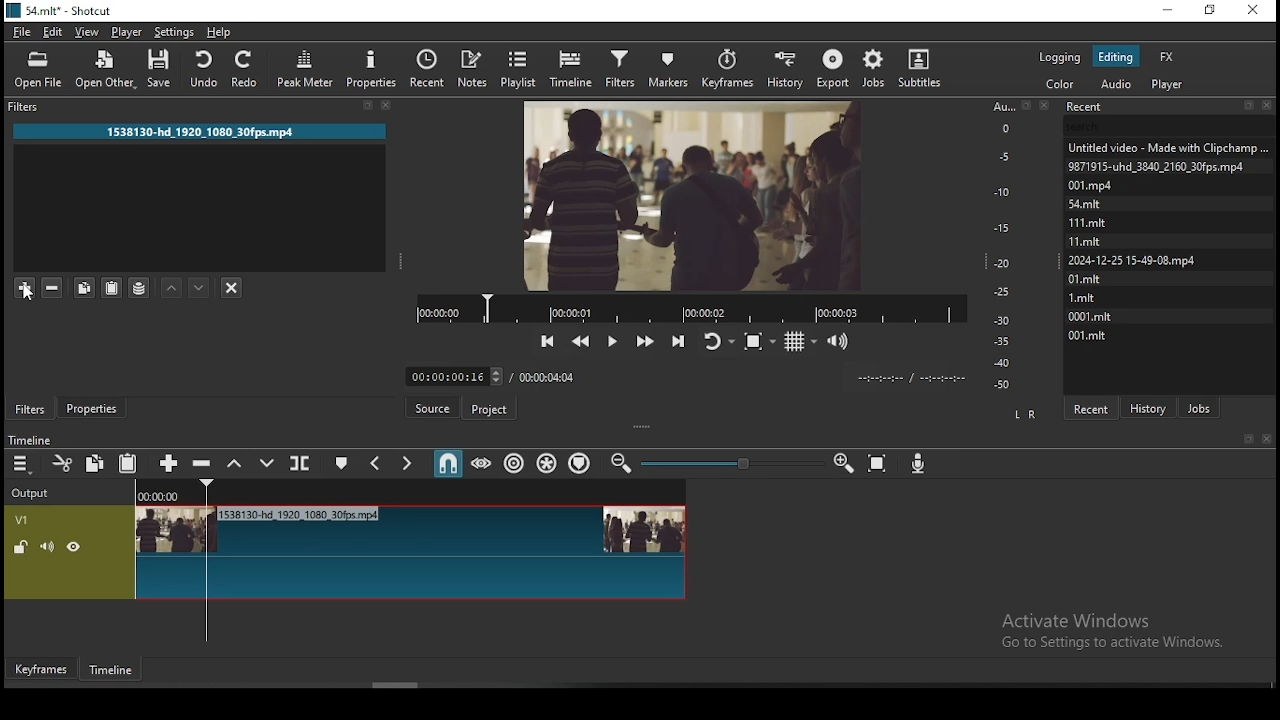 This screenshot has width=1280, height=720. I want to click on help, so click(219, 32).